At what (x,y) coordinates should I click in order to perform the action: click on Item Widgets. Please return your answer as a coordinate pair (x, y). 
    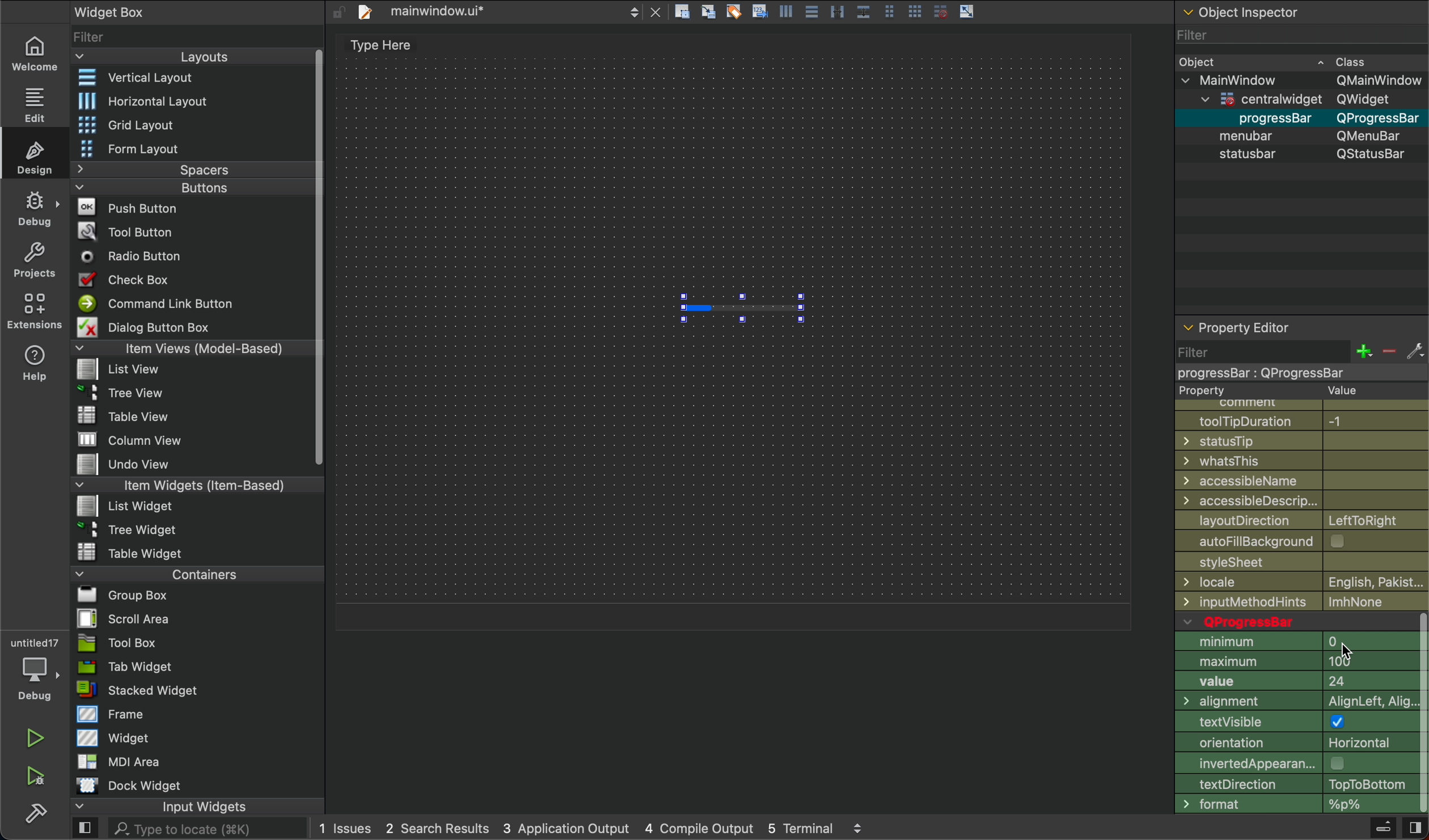
    Looking at the image, I should click on (179, 484).